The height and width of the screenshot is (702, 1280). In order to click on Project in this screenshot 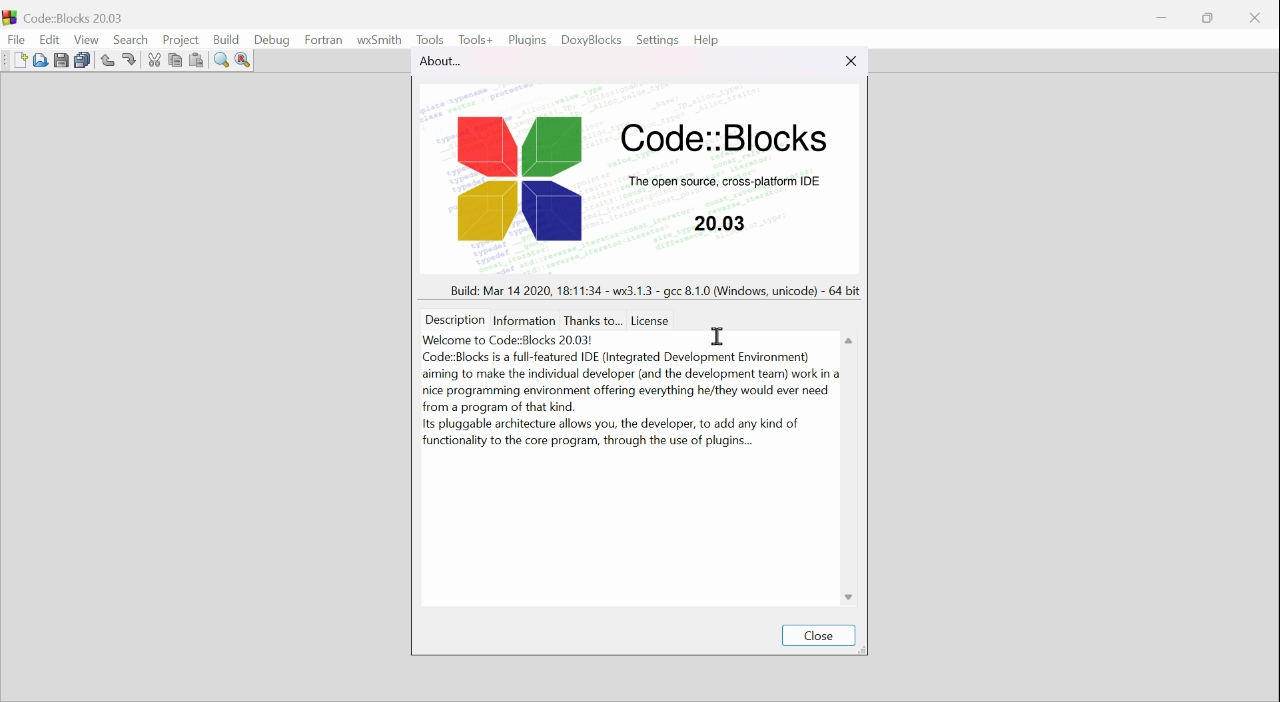, I will do `click(179, 39)`.